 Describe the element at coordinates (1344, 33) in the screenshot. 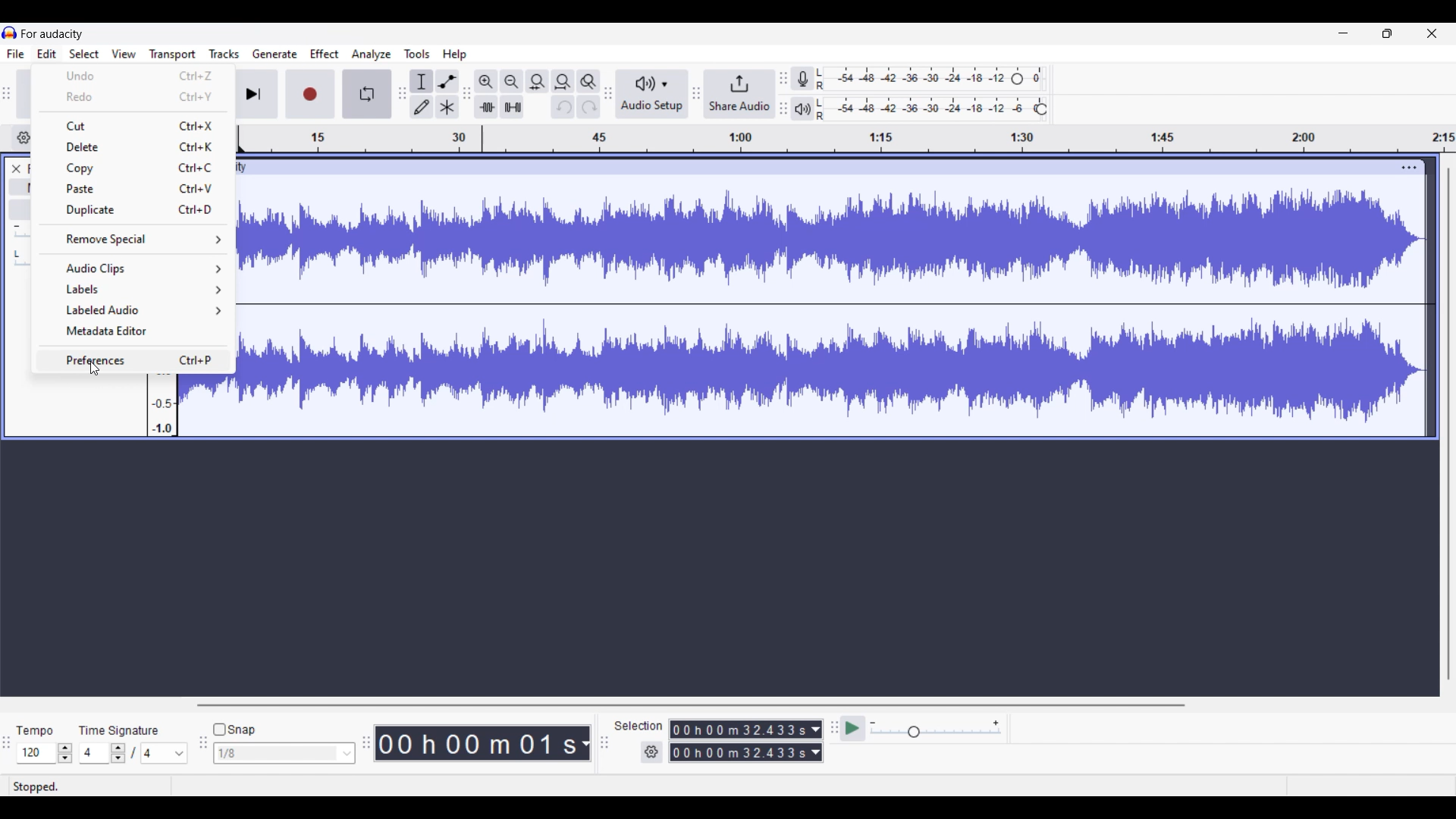

I see `Minimize` at that location.